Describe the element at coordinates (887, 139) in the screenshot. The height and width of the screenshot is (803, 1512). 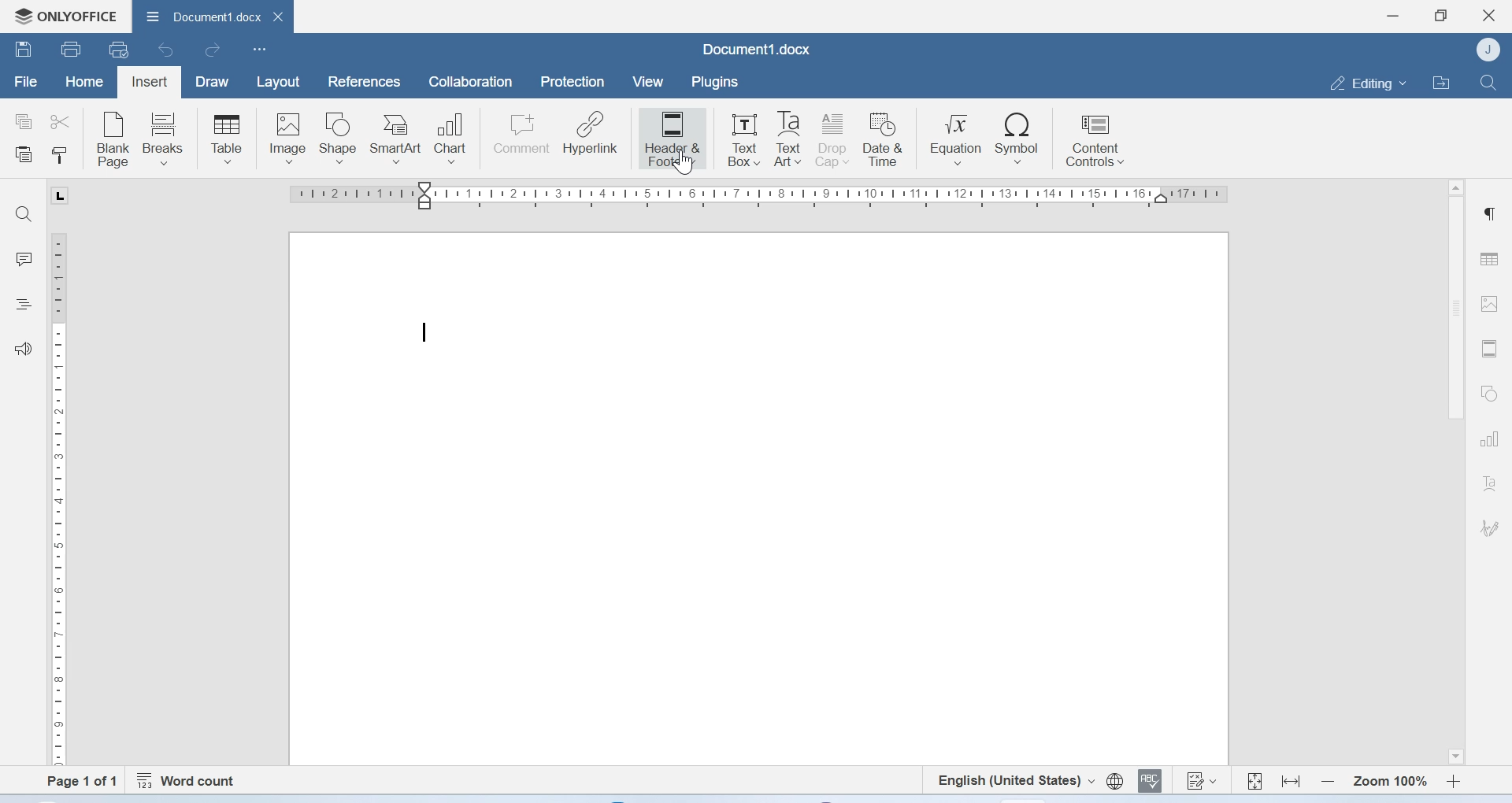
I see `Date & Time` at that location.